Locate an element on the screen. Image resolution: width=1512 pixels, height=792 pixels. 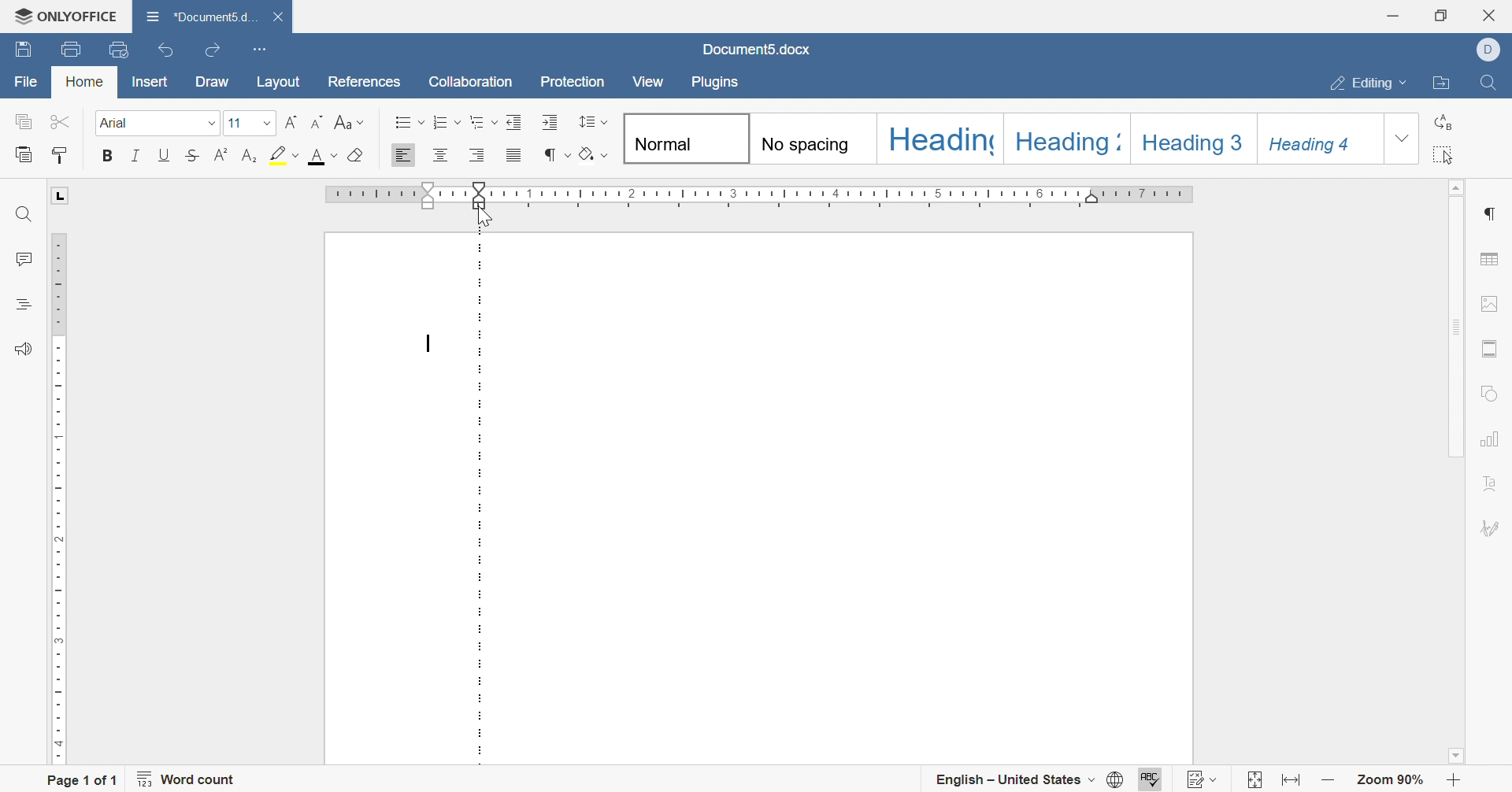
document5.docx is located at coordinates (759, 50).